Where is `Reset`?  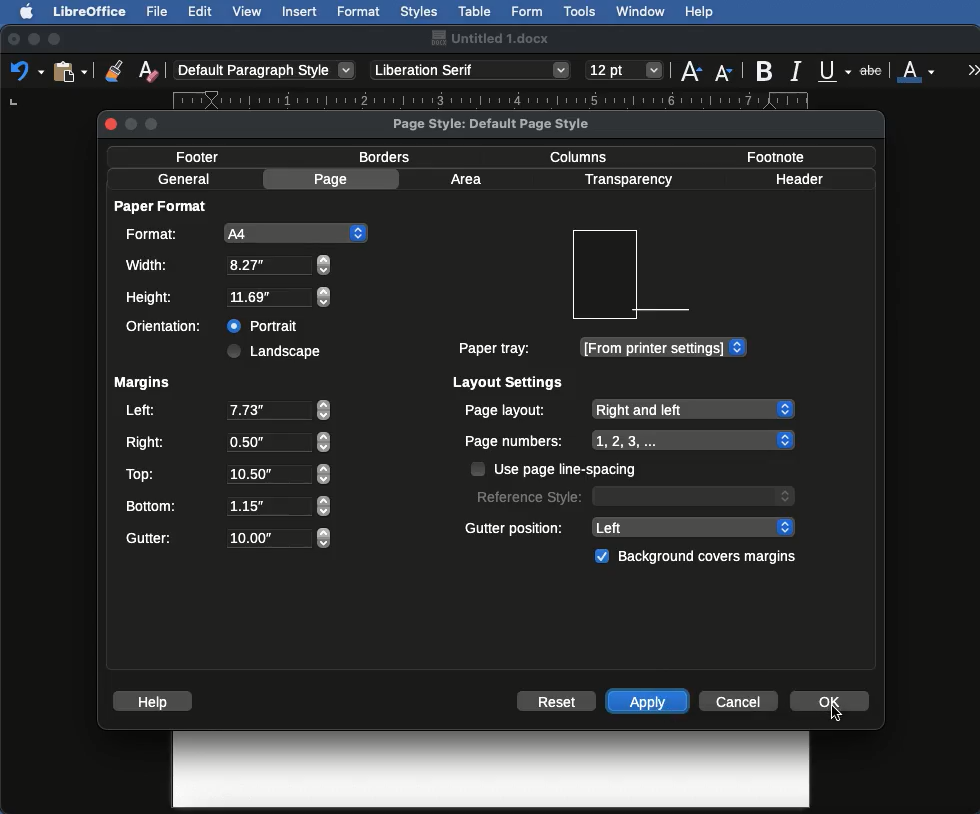
Reset is located at coordinates (557, 703).